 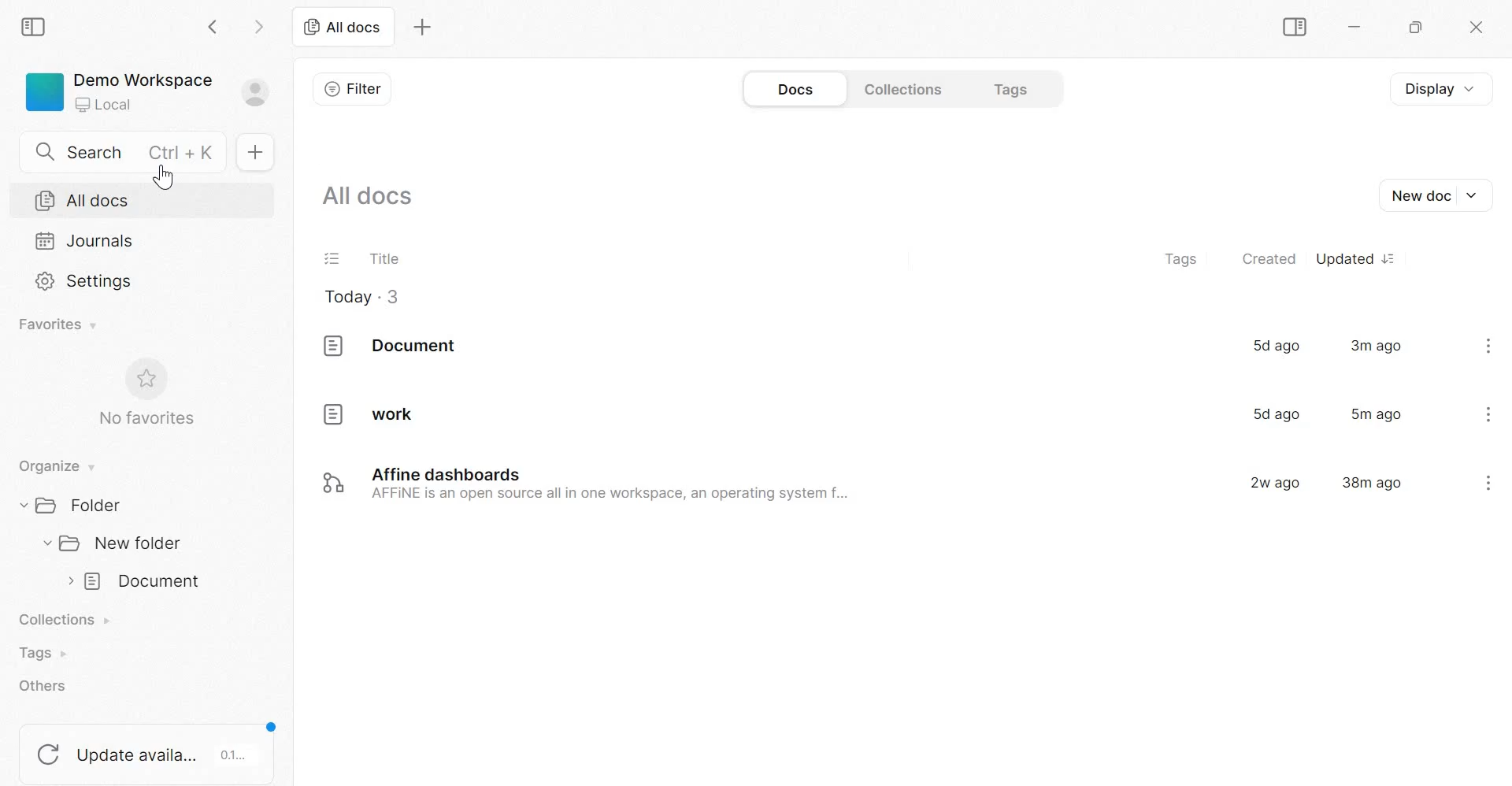 What do you see at coordinates (1014, 87) in the screenshot?
I see `Tags` at bounding box center [1014, 87].